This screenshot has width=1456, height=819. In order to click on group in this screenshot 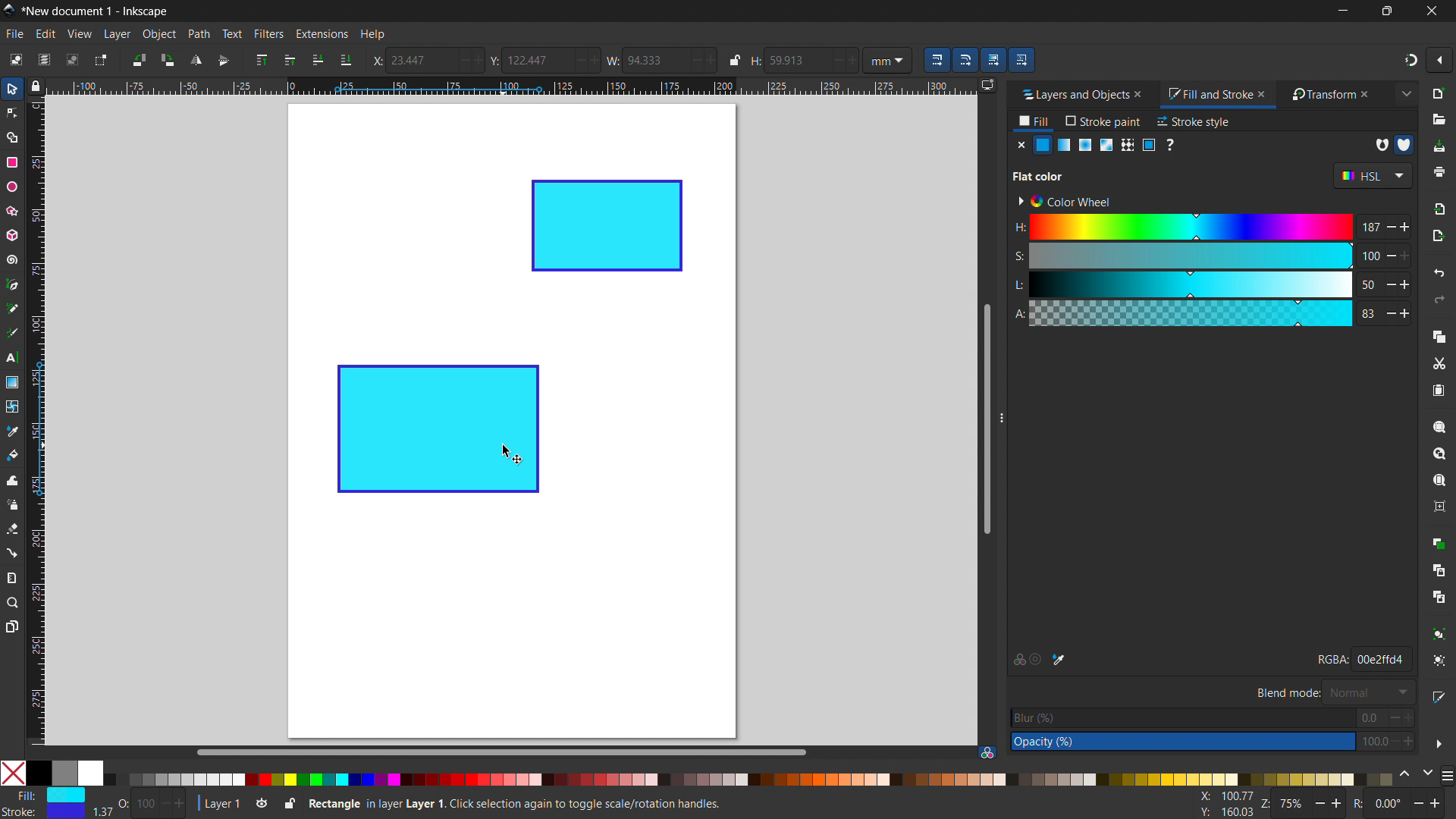, I will do `click(1440, 633)`.